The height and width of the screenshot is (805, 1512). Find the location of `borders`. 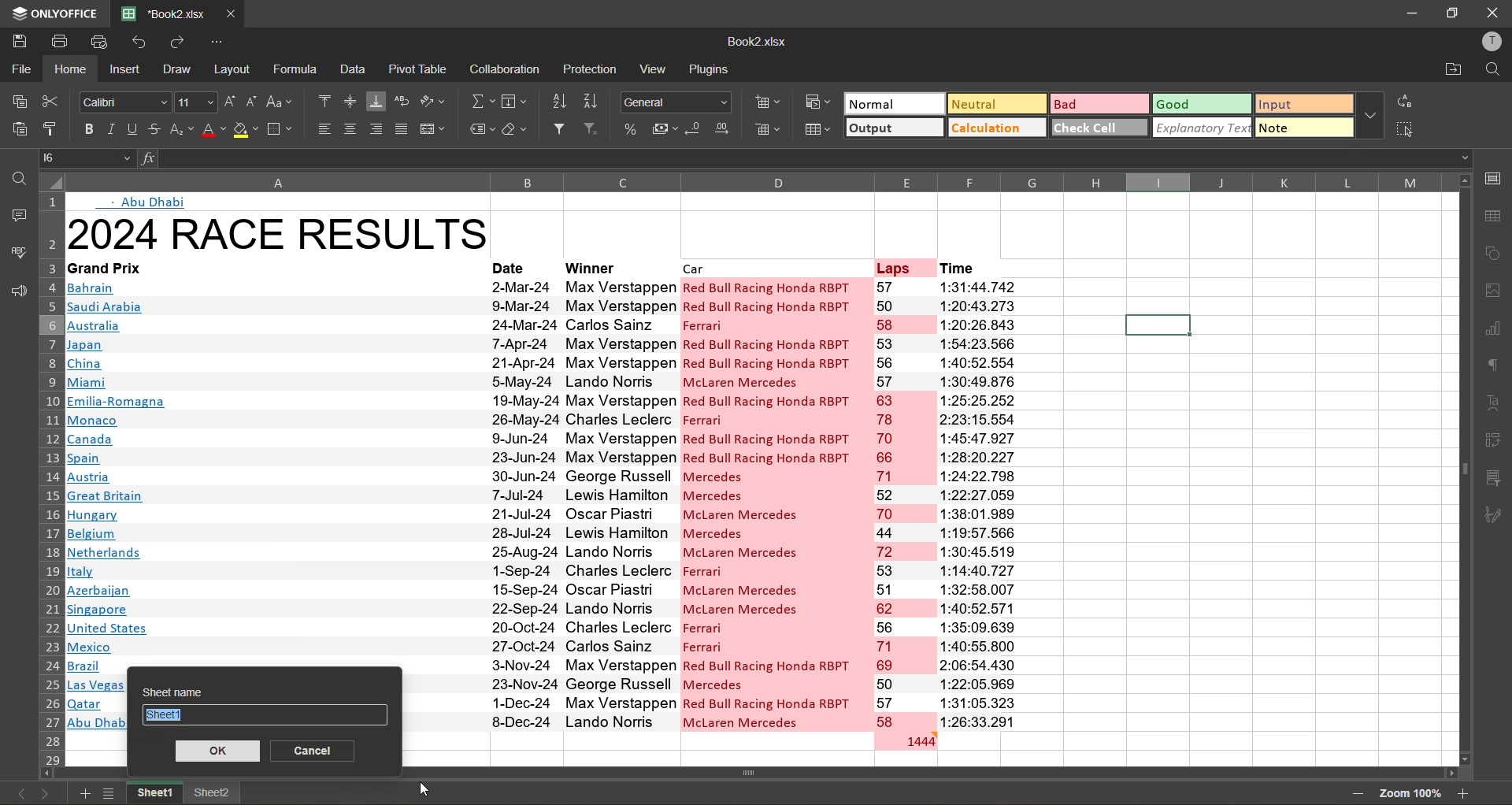

borders is located at coordinates (282, 128).